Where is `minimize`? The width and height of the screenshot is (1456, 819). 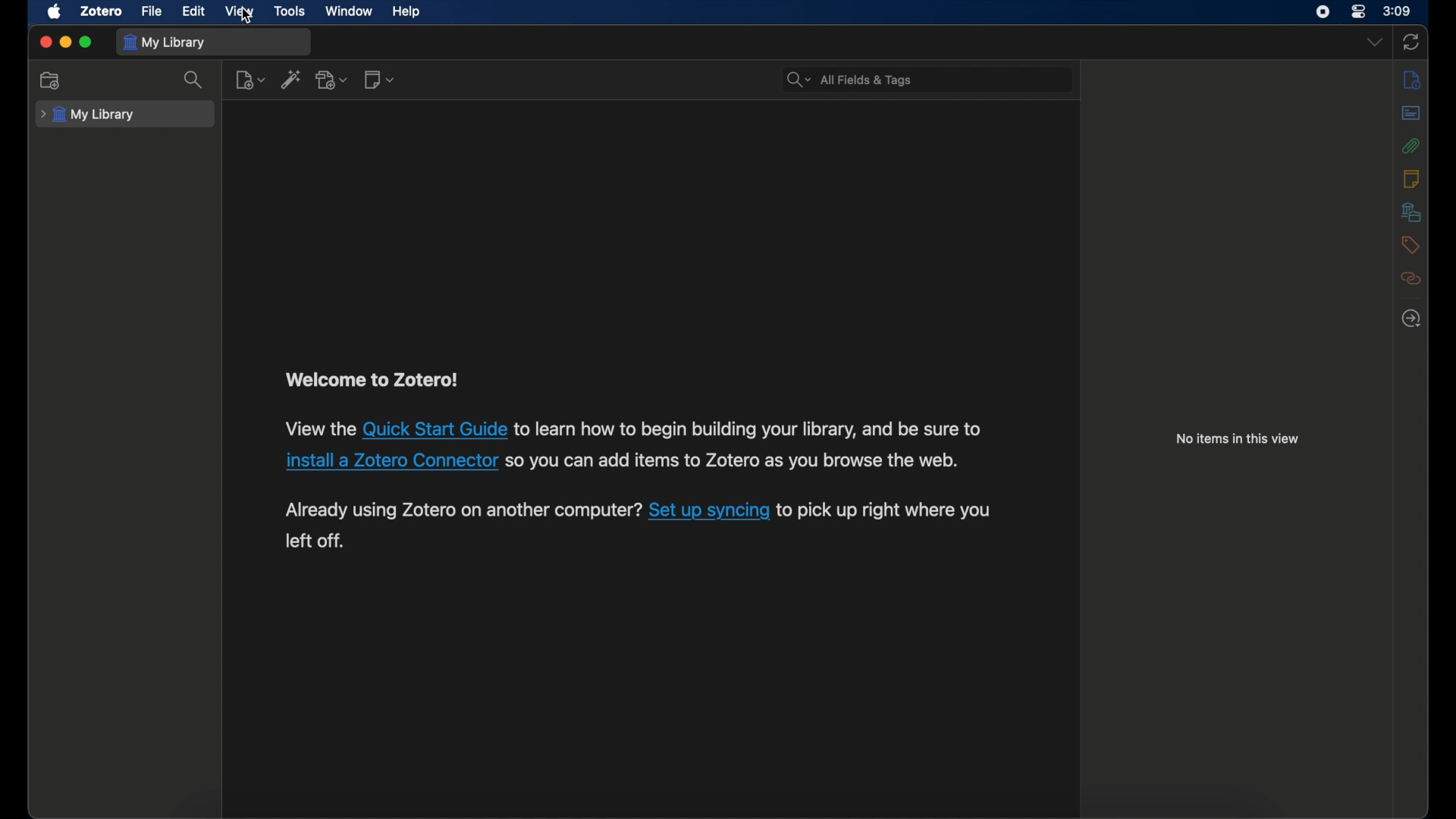 minimize is located at coordinates (67, 41).